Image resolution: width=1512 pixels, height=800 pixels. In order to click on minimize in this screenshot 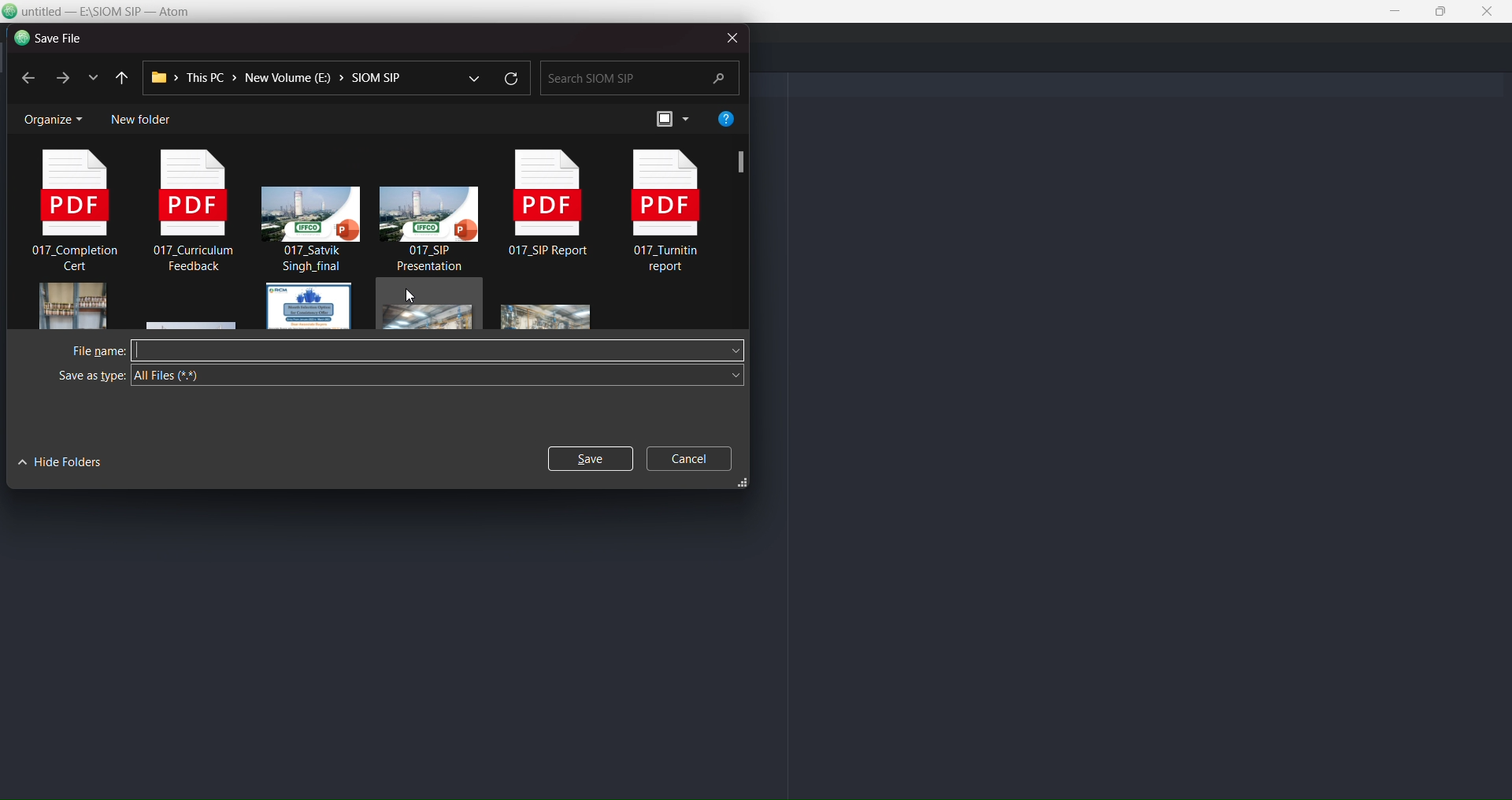, I will do `click(1392, 9)`.